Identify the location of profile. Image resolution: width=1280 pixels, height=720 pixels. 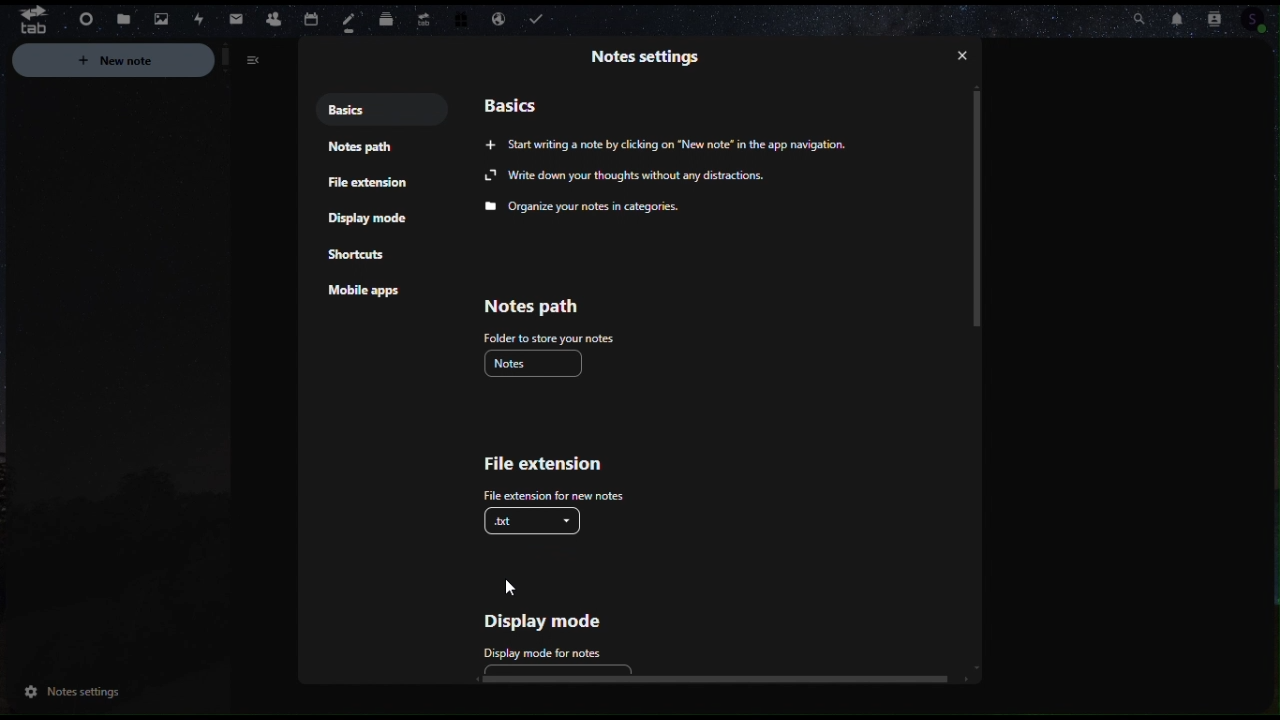
(1265, 21).